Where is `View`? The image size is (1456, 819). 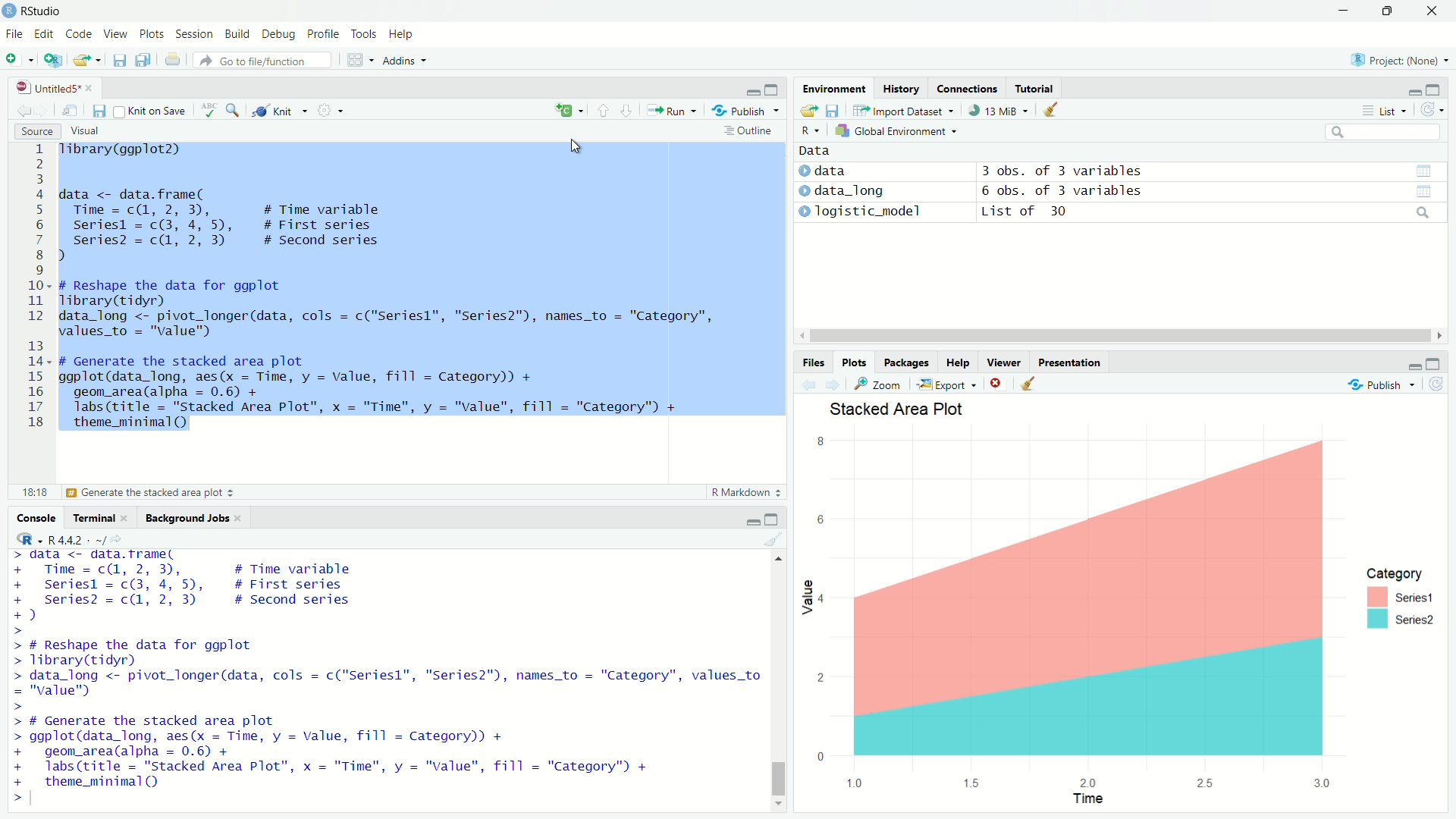 View is located at coordinates (115, 32).